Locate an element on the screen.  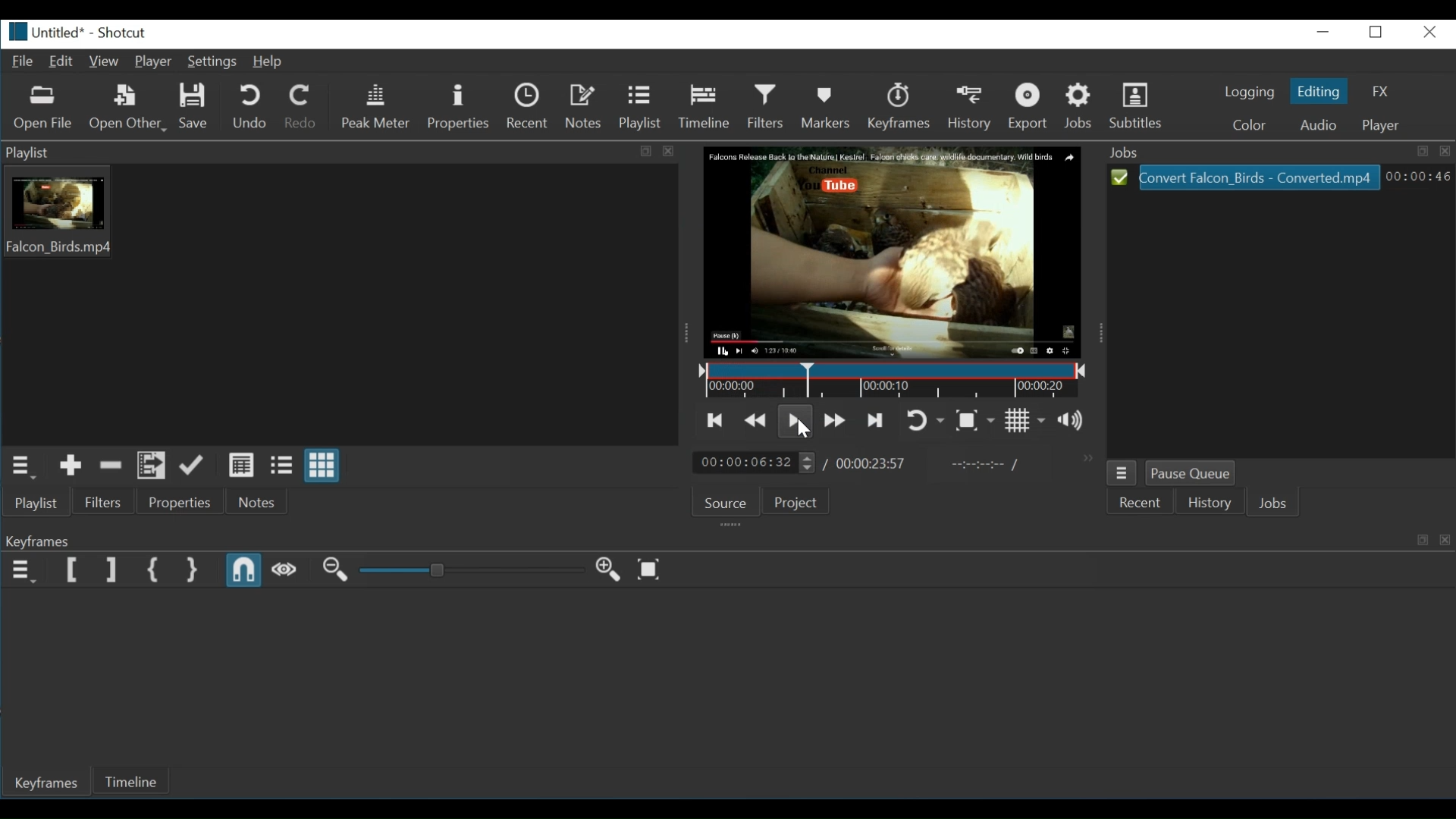
Notes is located at coordinates (583, 106).